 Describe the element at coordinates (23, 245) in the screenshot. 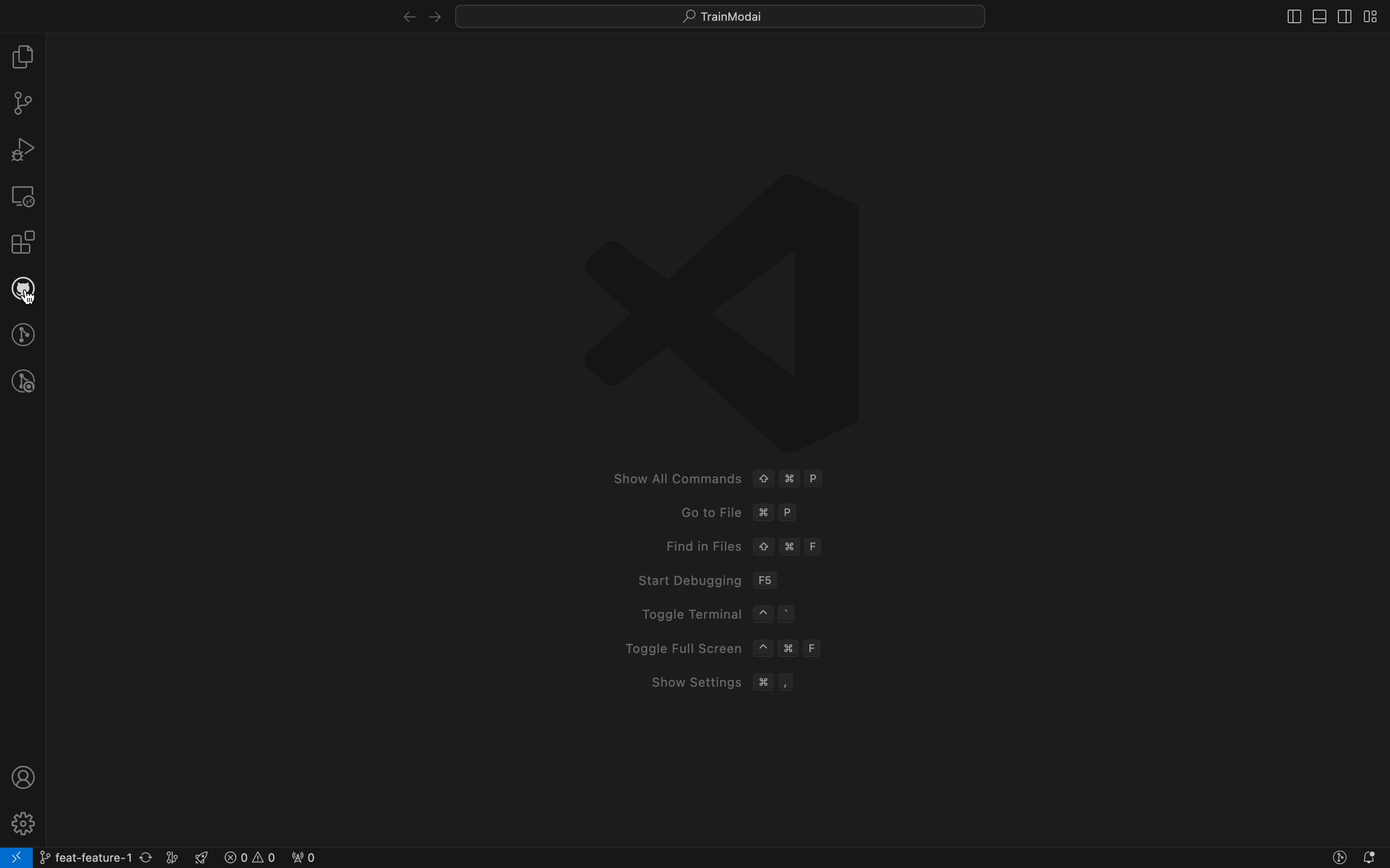

I see `Extensions` at that location.